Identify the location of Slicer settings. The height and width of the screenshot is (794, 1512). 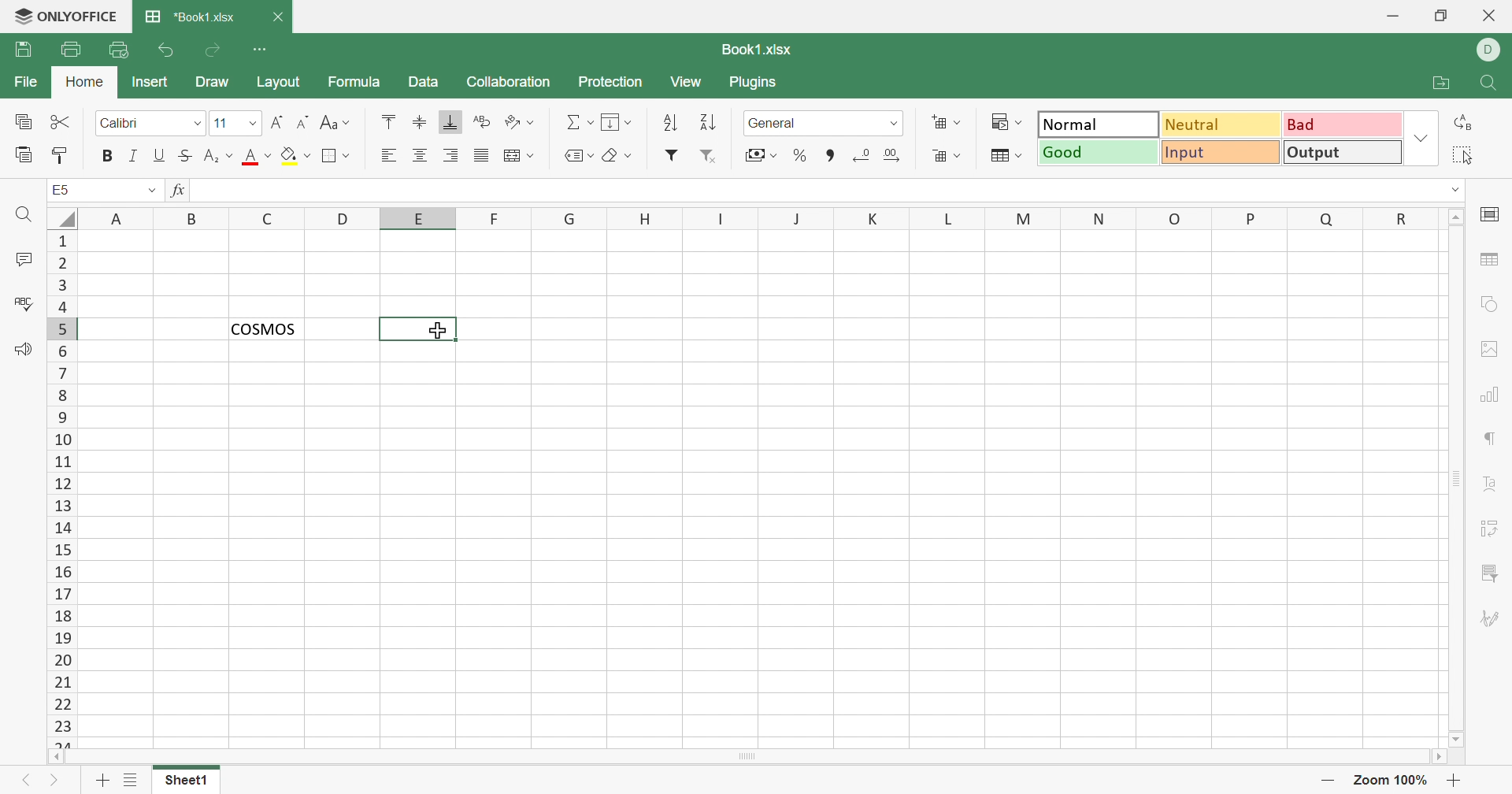
(1492, 575).